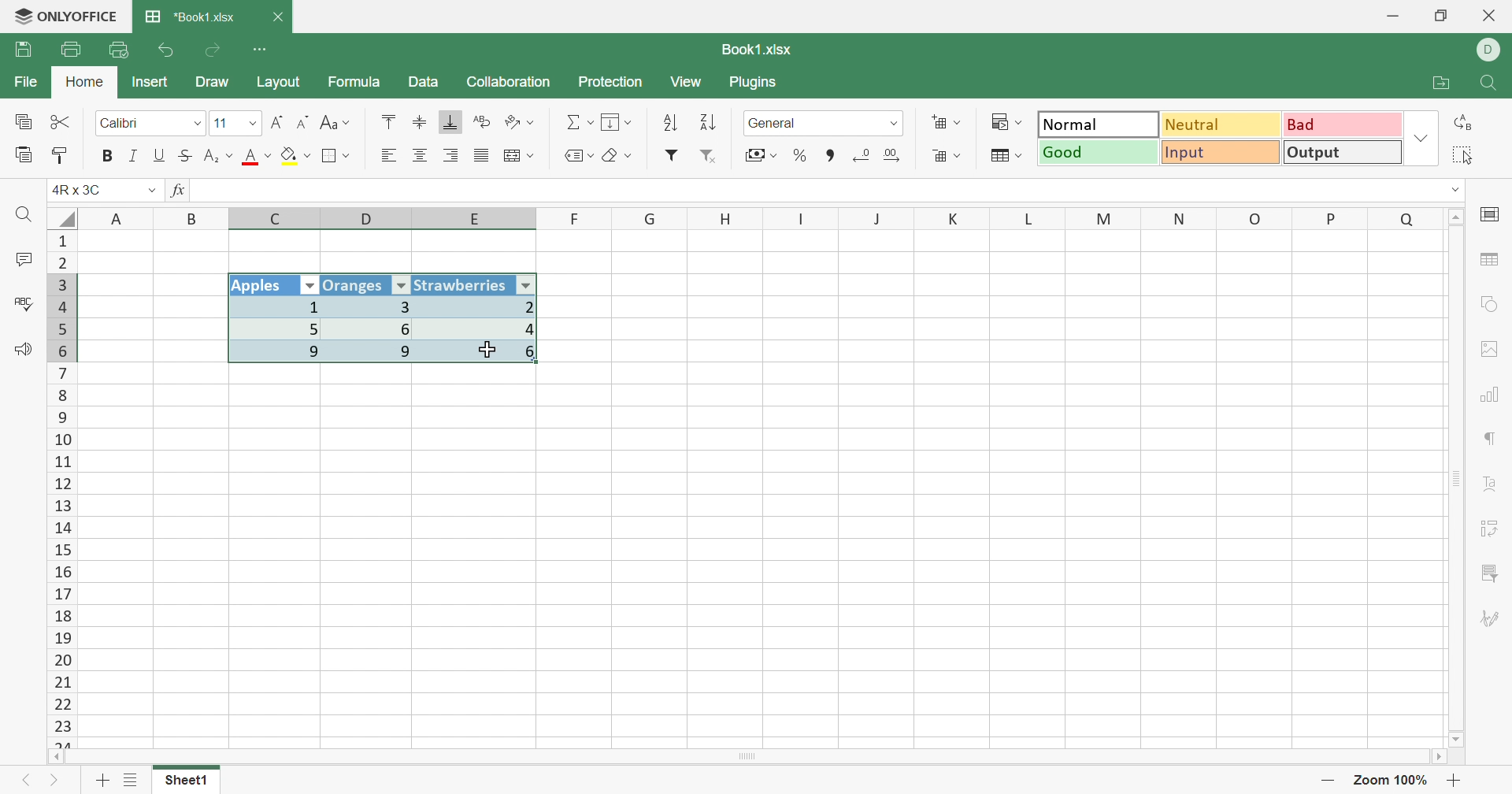 The width and height of the screenshot is (1512, 794). What do you see at coordinates (61, 121) in the screenshot?
I see `Cut` at bounding box center [61, 121].